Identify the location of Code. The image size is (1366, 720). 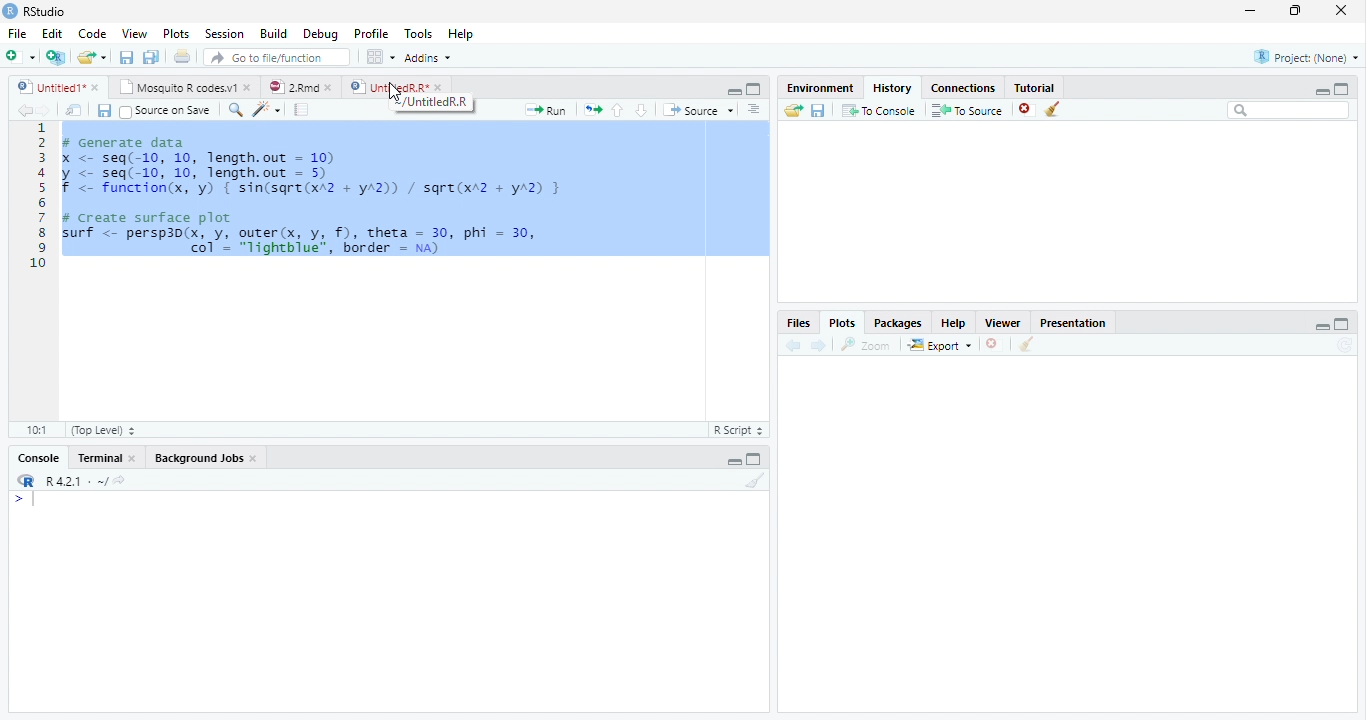
(91, 33).